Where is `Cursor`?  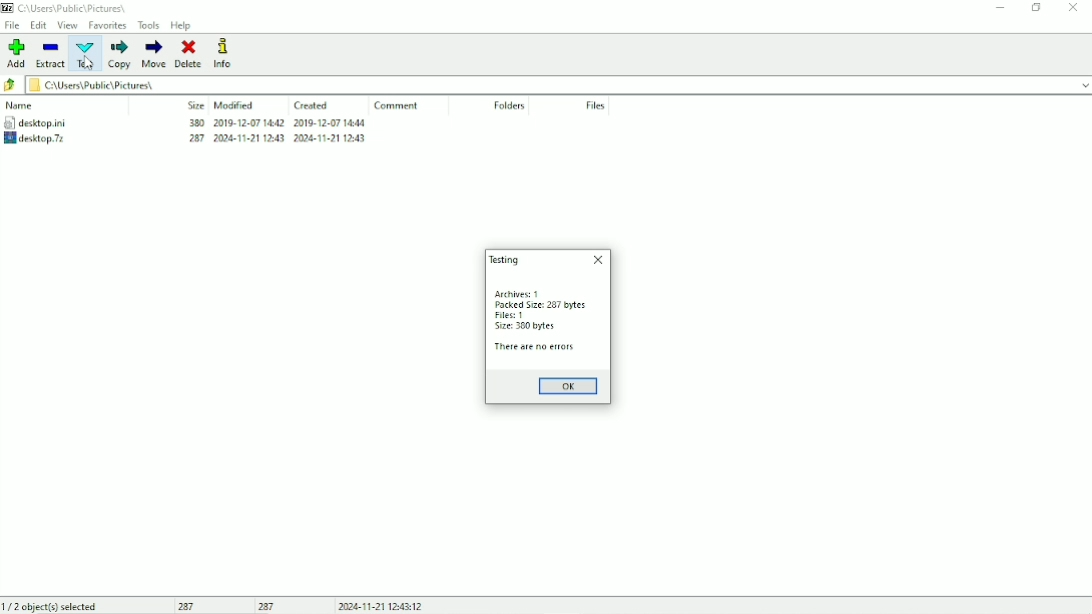 Cursor is located at coordinates (90, 63).